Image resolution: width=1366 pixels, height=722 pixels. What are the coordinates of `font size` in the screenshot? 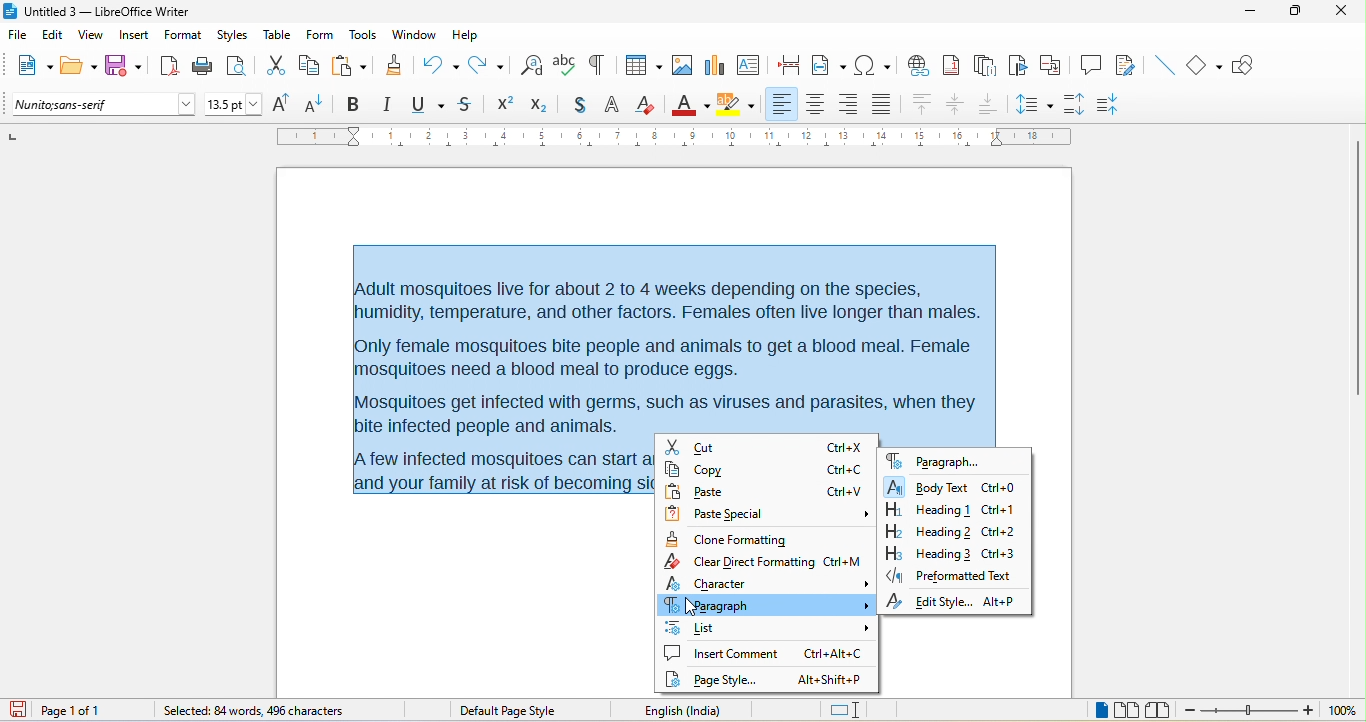 It's located at (234, 105).